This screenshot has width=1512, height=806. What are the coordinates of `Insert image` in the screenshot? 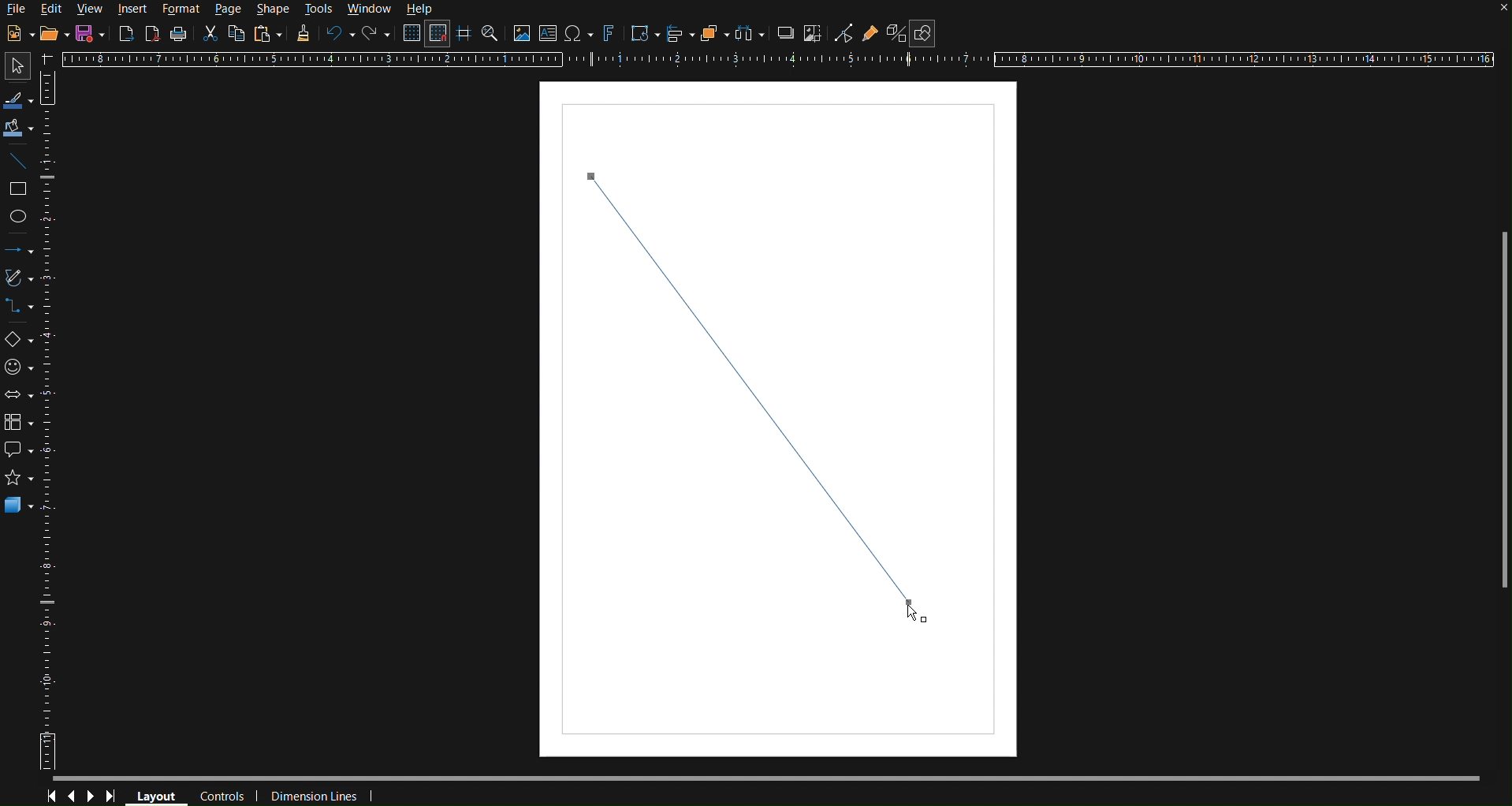 It's located at (520, 34).